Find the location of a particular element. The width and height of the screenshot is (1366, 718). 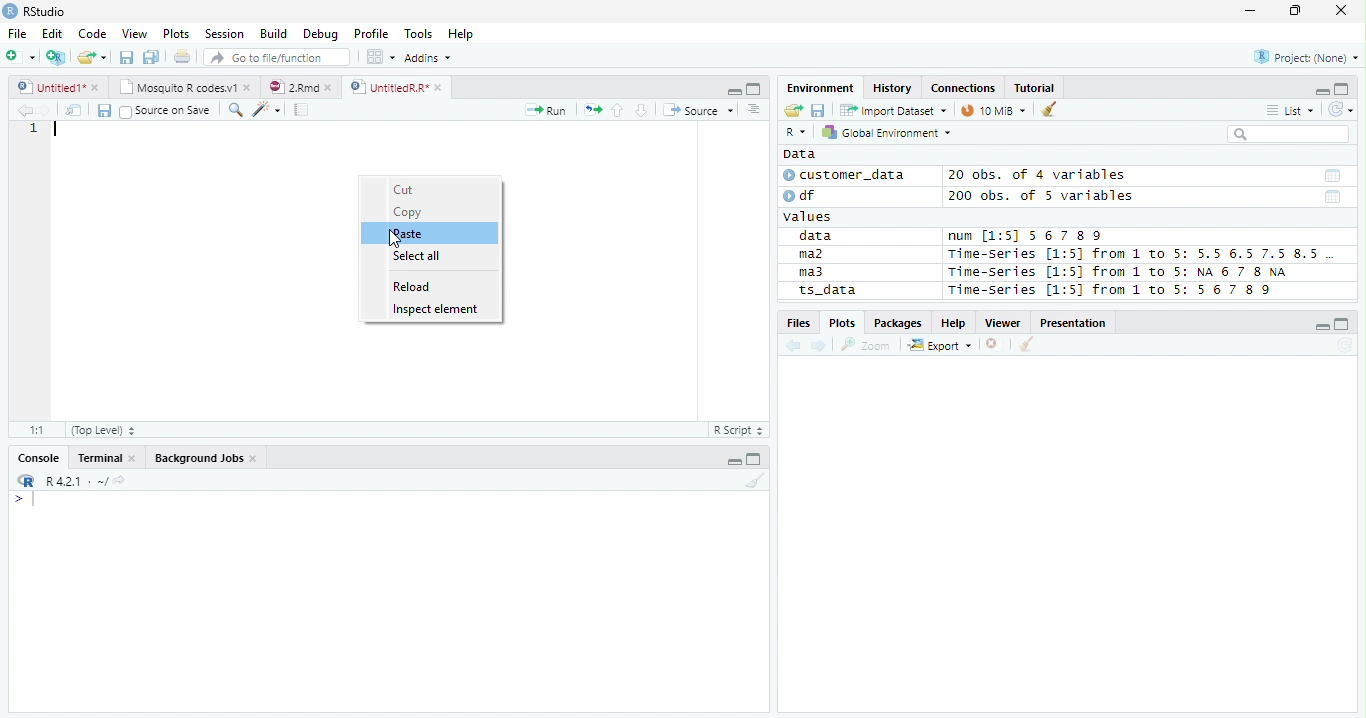

Project (none) is located at coordinates (1309, 55).